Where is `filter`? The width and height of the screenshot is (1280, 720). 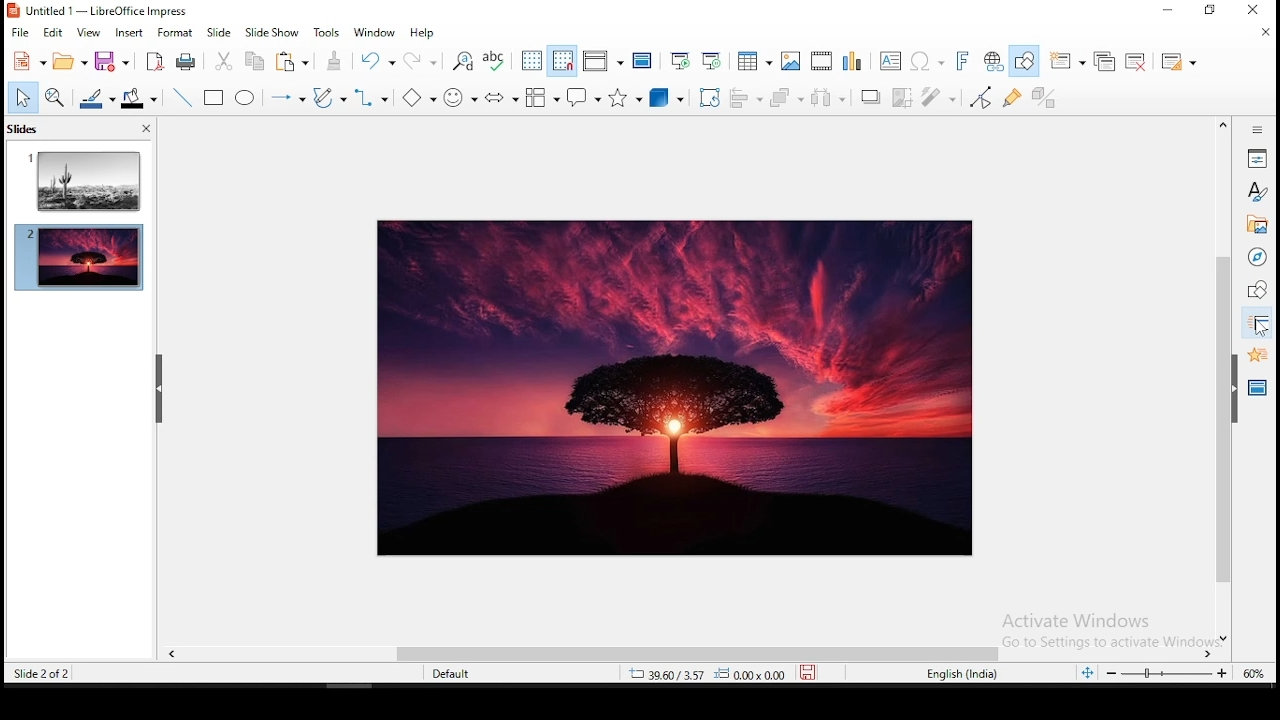
filter is located at coordinates (941, 98).